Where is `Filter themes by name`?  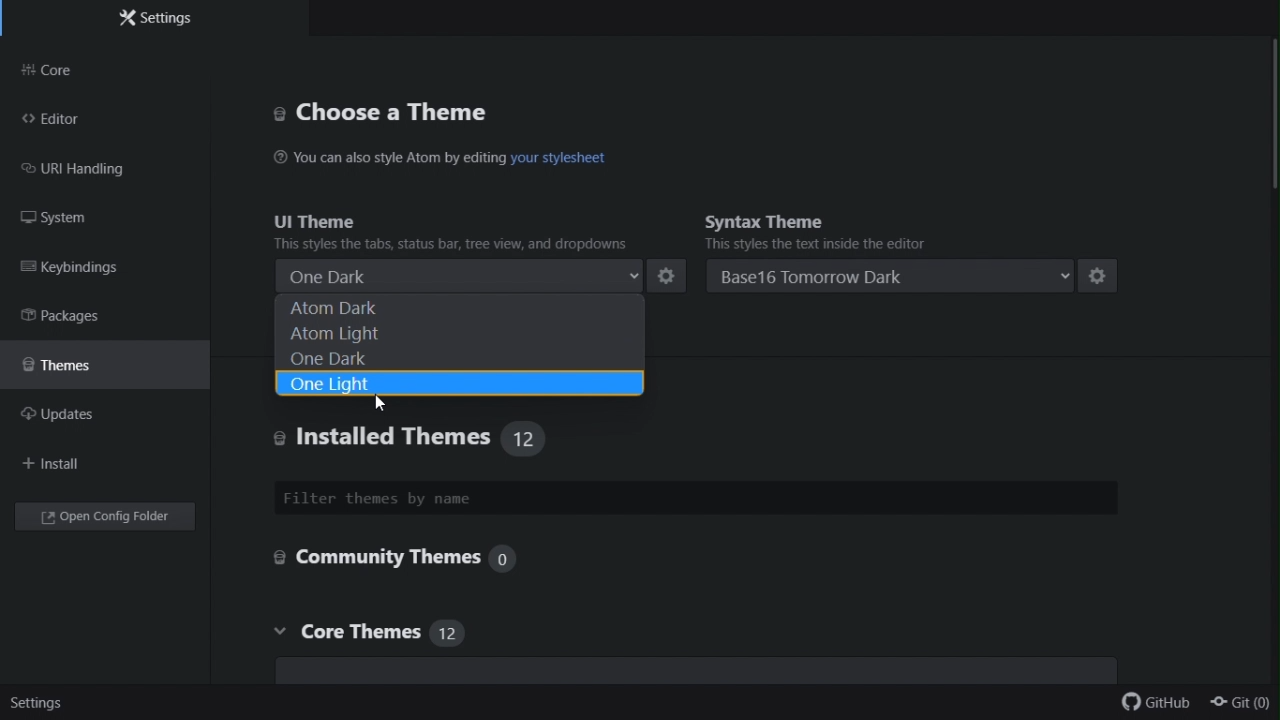
Filter themes by name is located at coordinates (695, 497).